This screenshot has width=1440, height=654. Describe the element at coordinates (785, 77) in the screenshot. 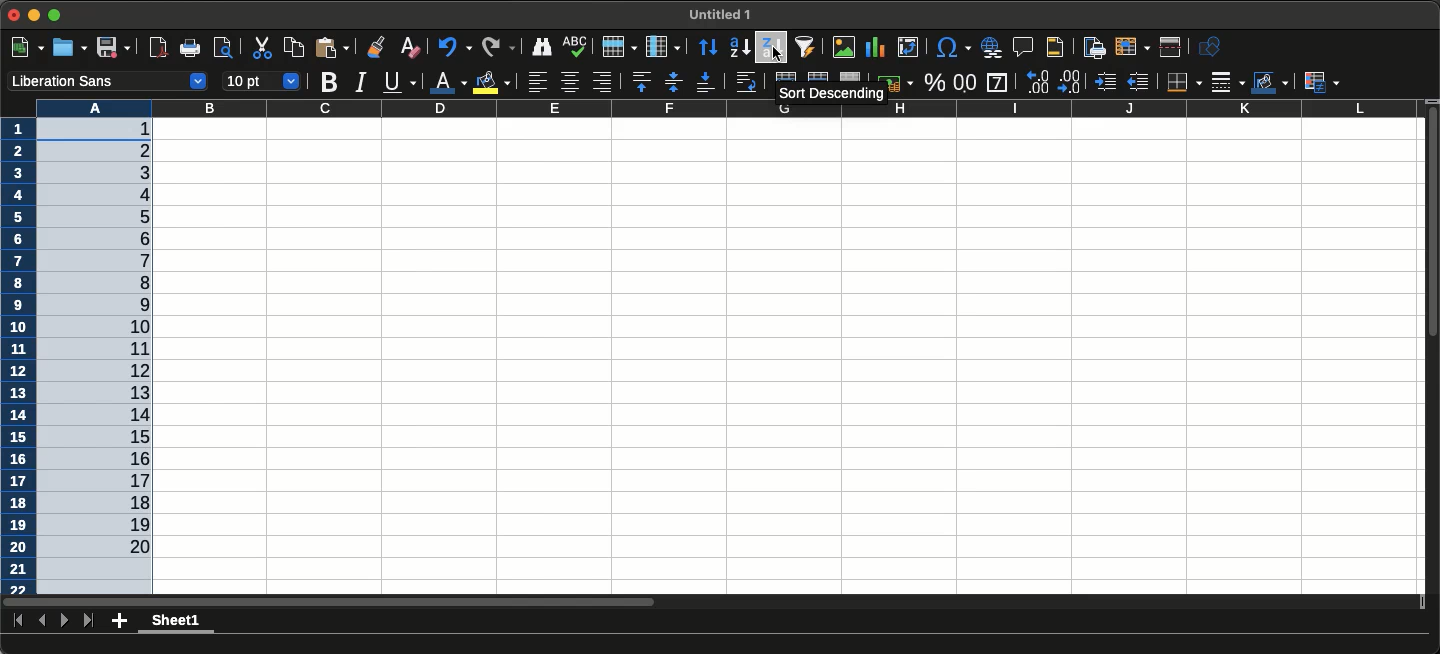

I see `Merge and center` at that location.